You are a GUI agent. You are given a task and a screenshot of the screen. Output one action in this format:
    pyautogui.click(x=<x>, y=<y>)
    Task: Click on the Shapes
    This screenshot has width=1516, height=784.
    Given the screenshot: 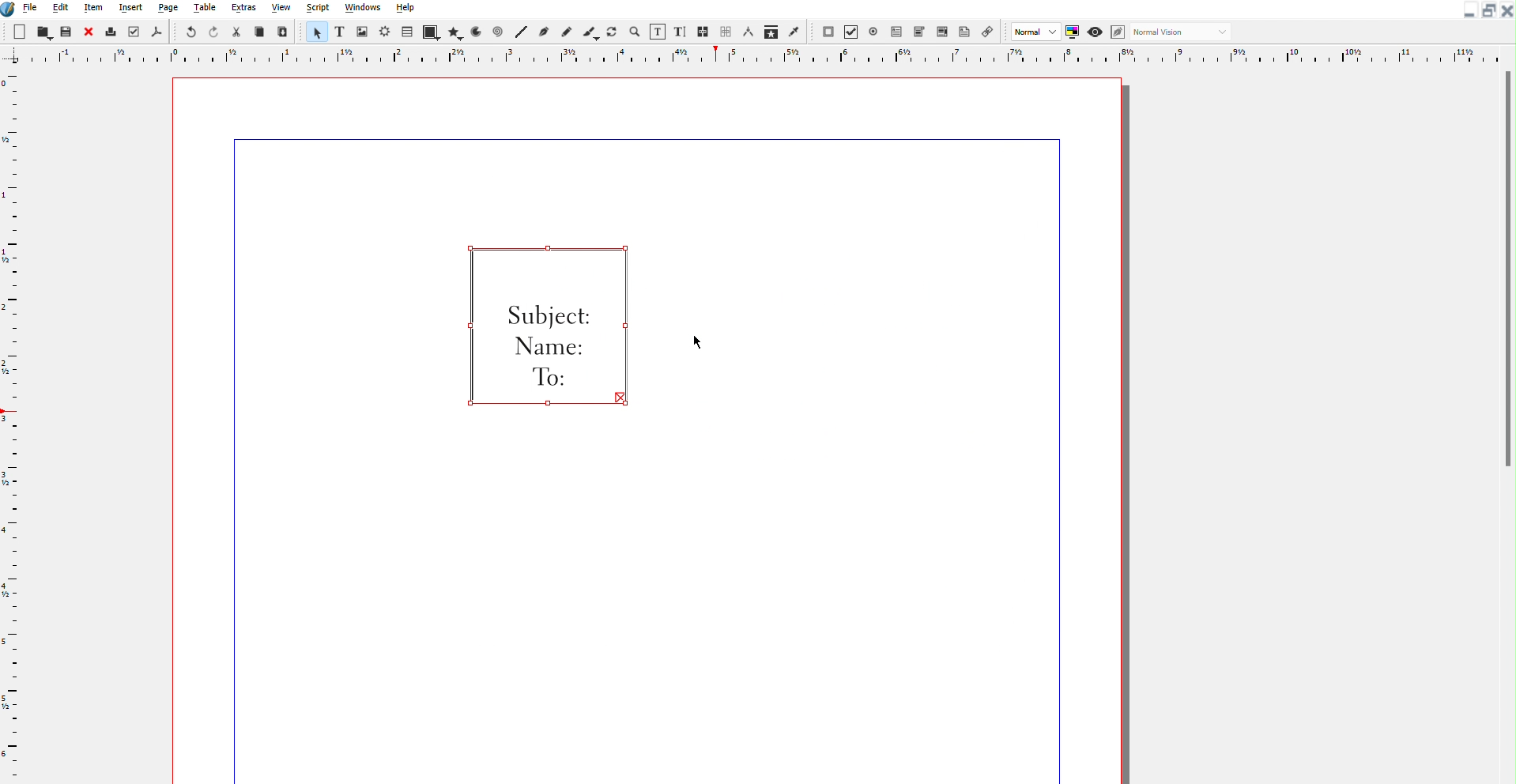 What is the action you would take?
    pyautogui.click(x=431, y=31)
    